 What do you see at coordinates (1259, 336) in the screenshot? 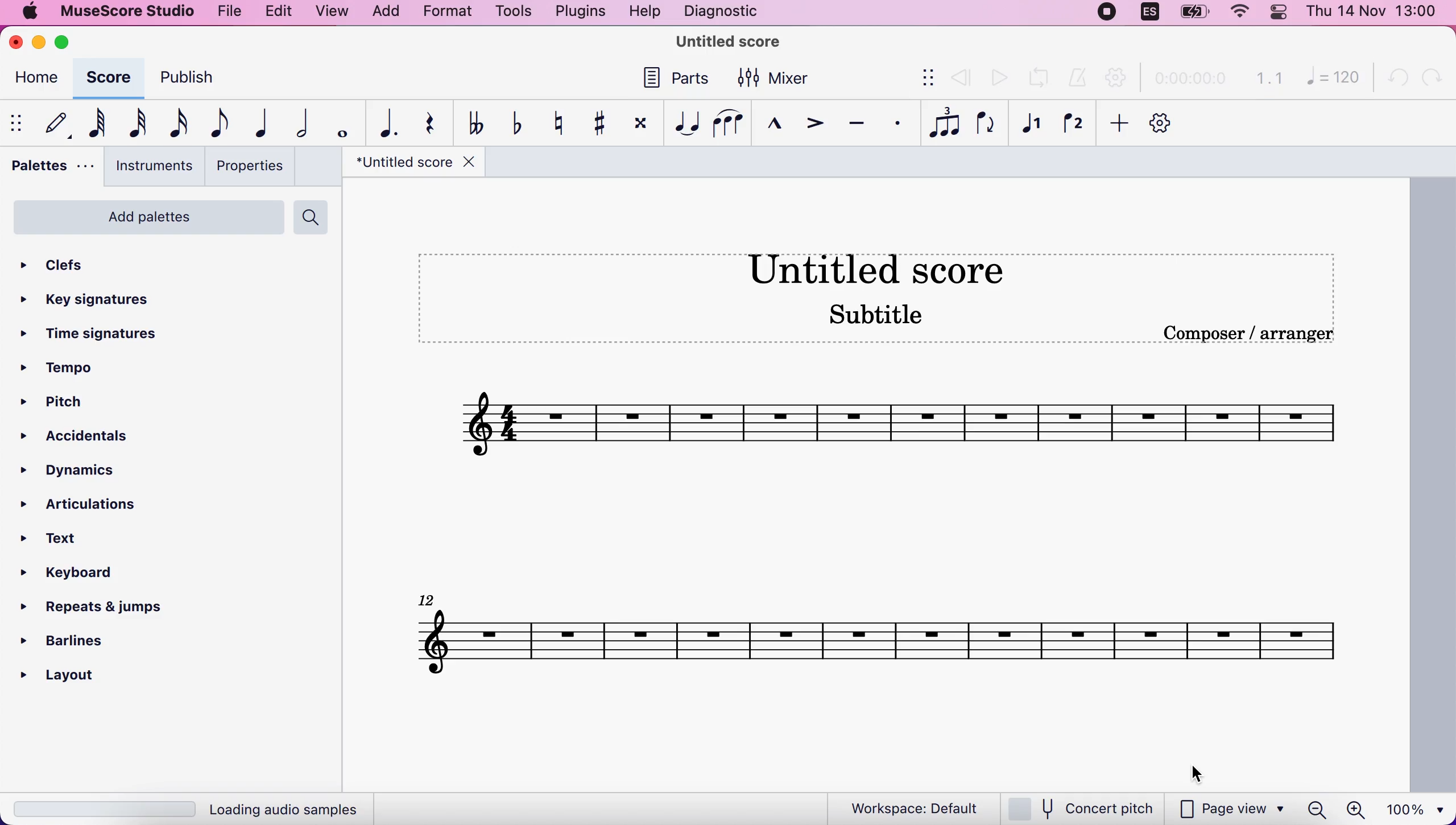
I see `composer/arranger` at bounding box center [1259, 336].